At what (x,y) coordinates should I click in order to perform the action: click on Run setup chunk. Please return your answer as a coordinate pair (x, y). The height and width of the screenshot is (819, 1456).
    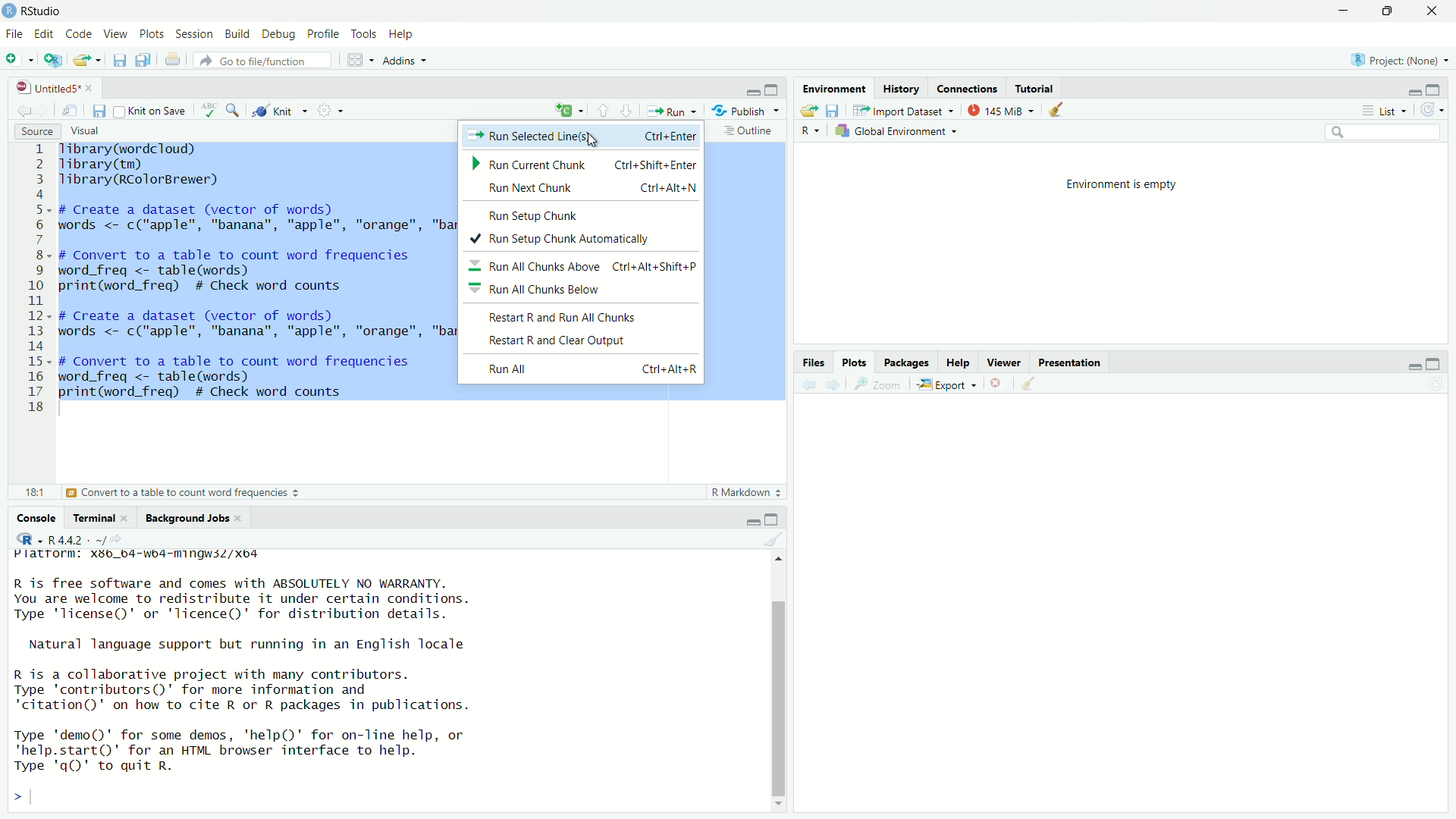
    Looking at the image, I should click on (536, 216).